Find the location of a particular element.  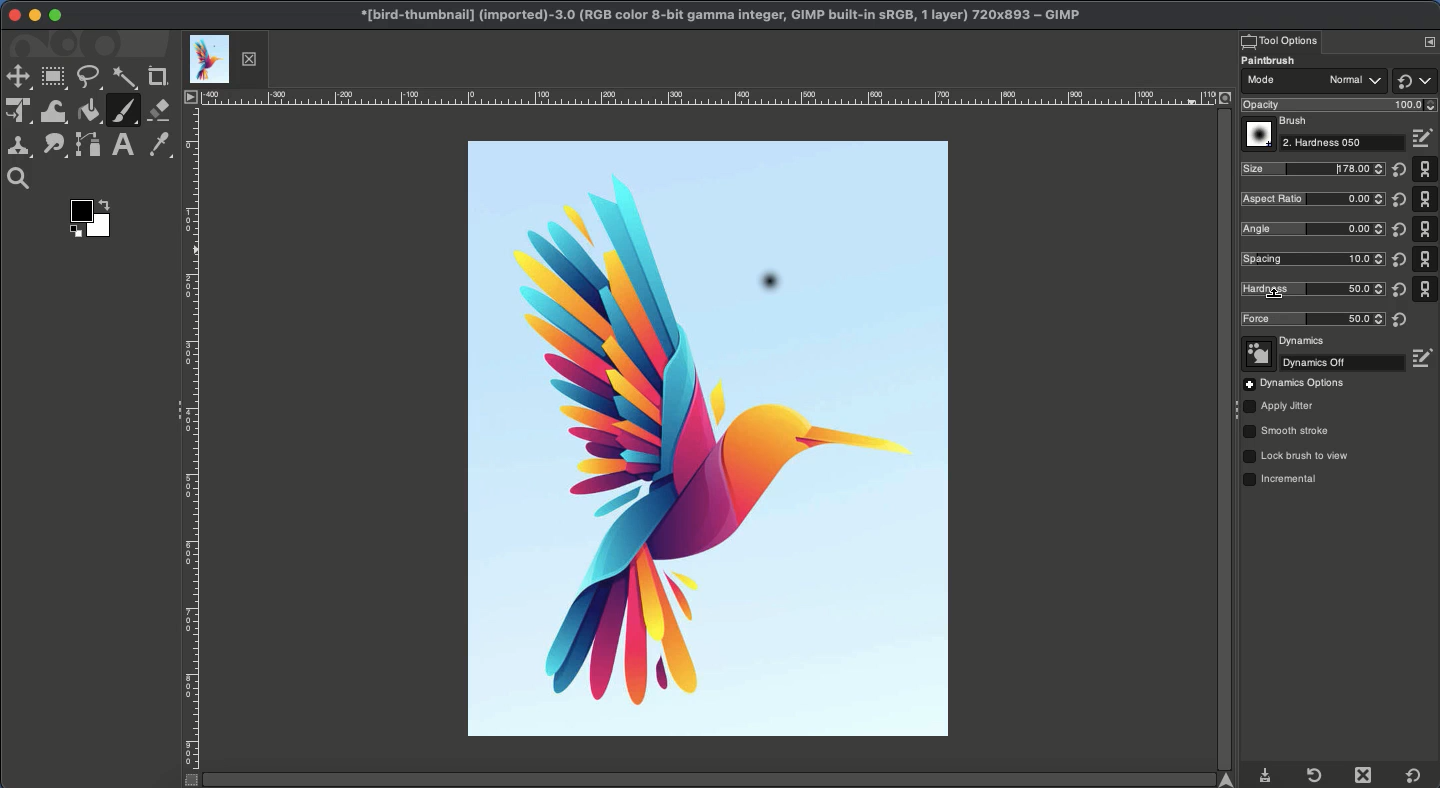

Eraser is located at coordinates (160, 110).